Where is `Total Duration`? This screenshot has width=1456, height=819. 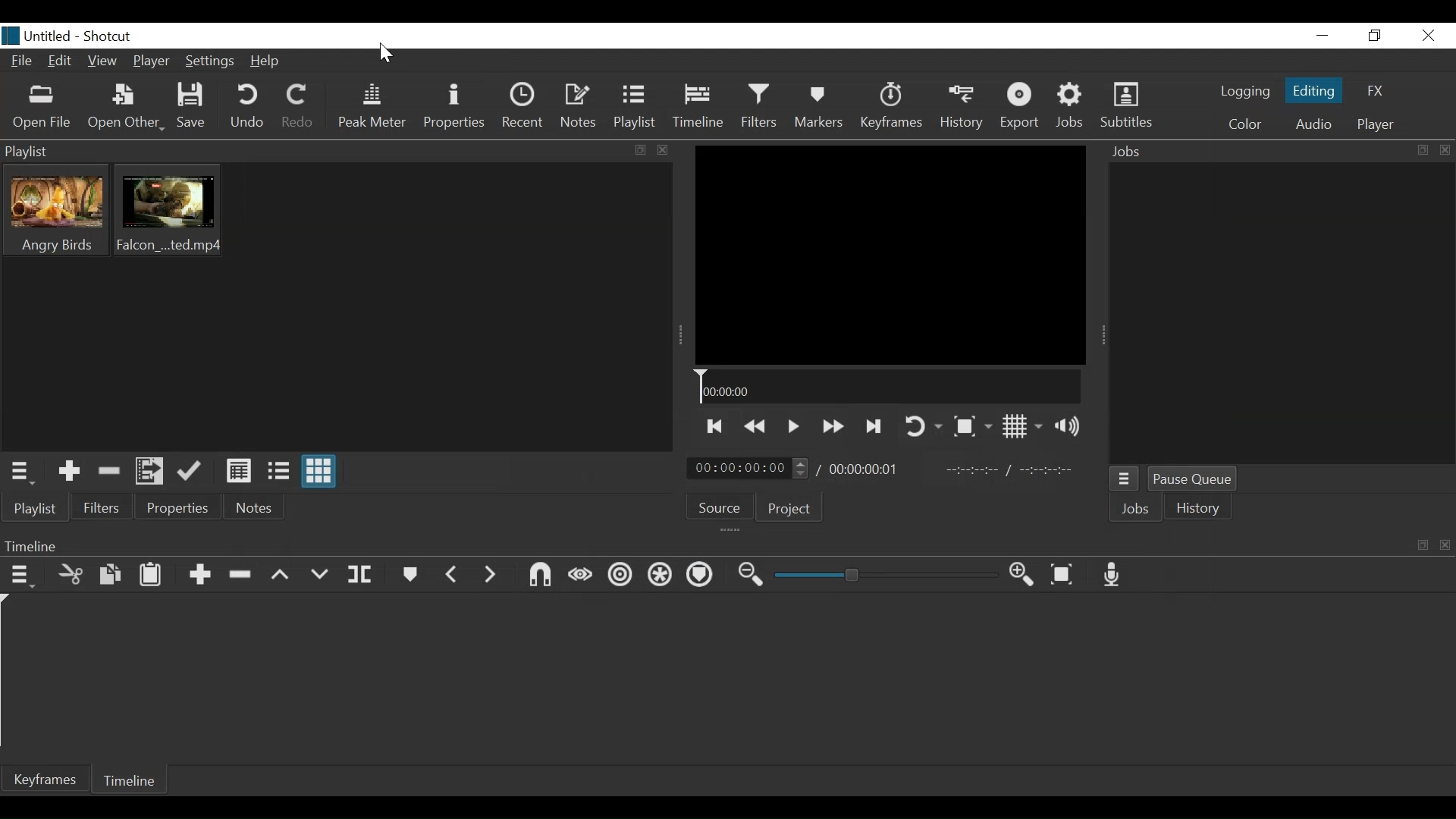 Total Duration is located at coordinates (867, 470).